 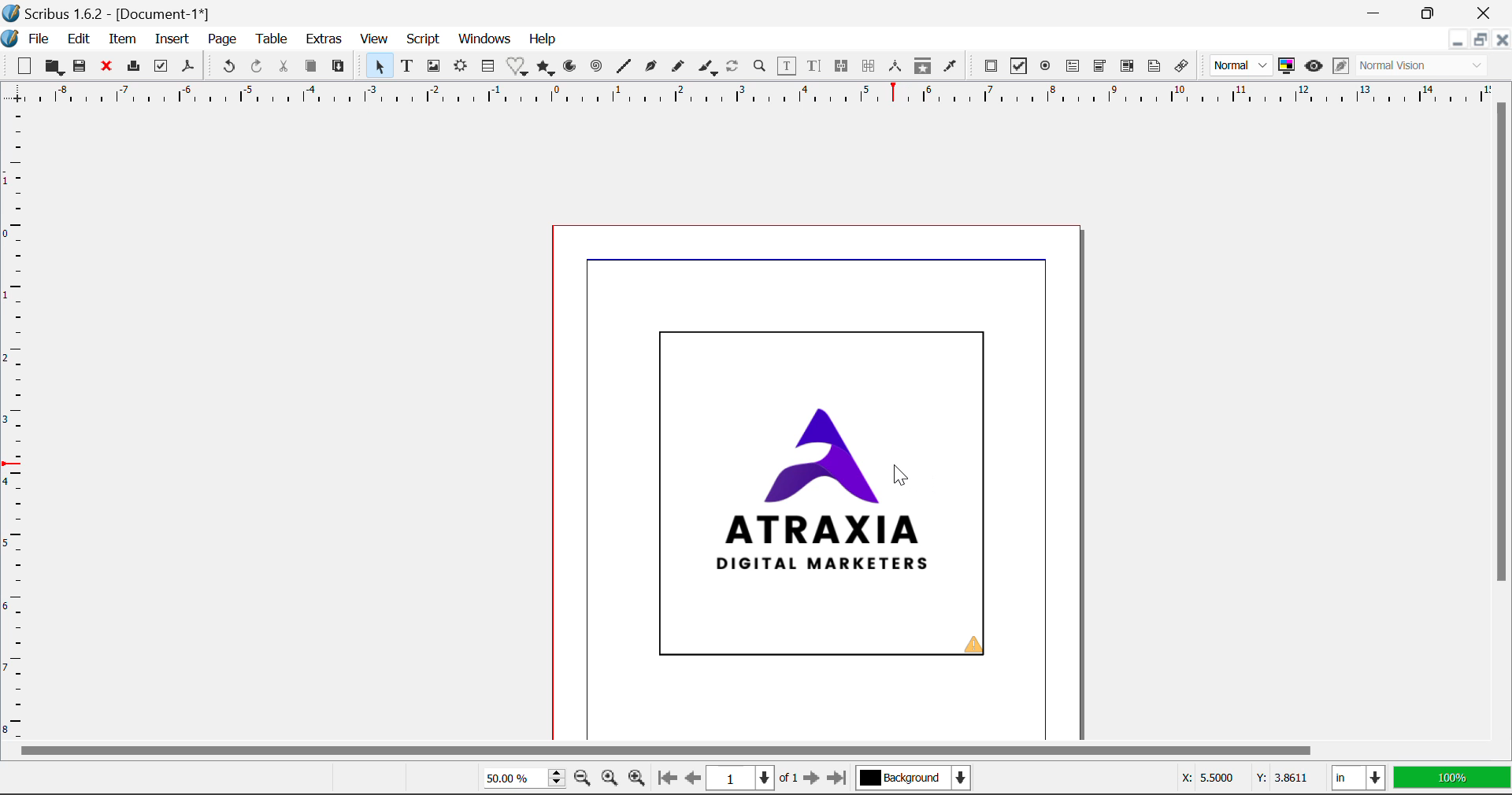 I want to click on Cursor Position, so click(x=899, y=479).